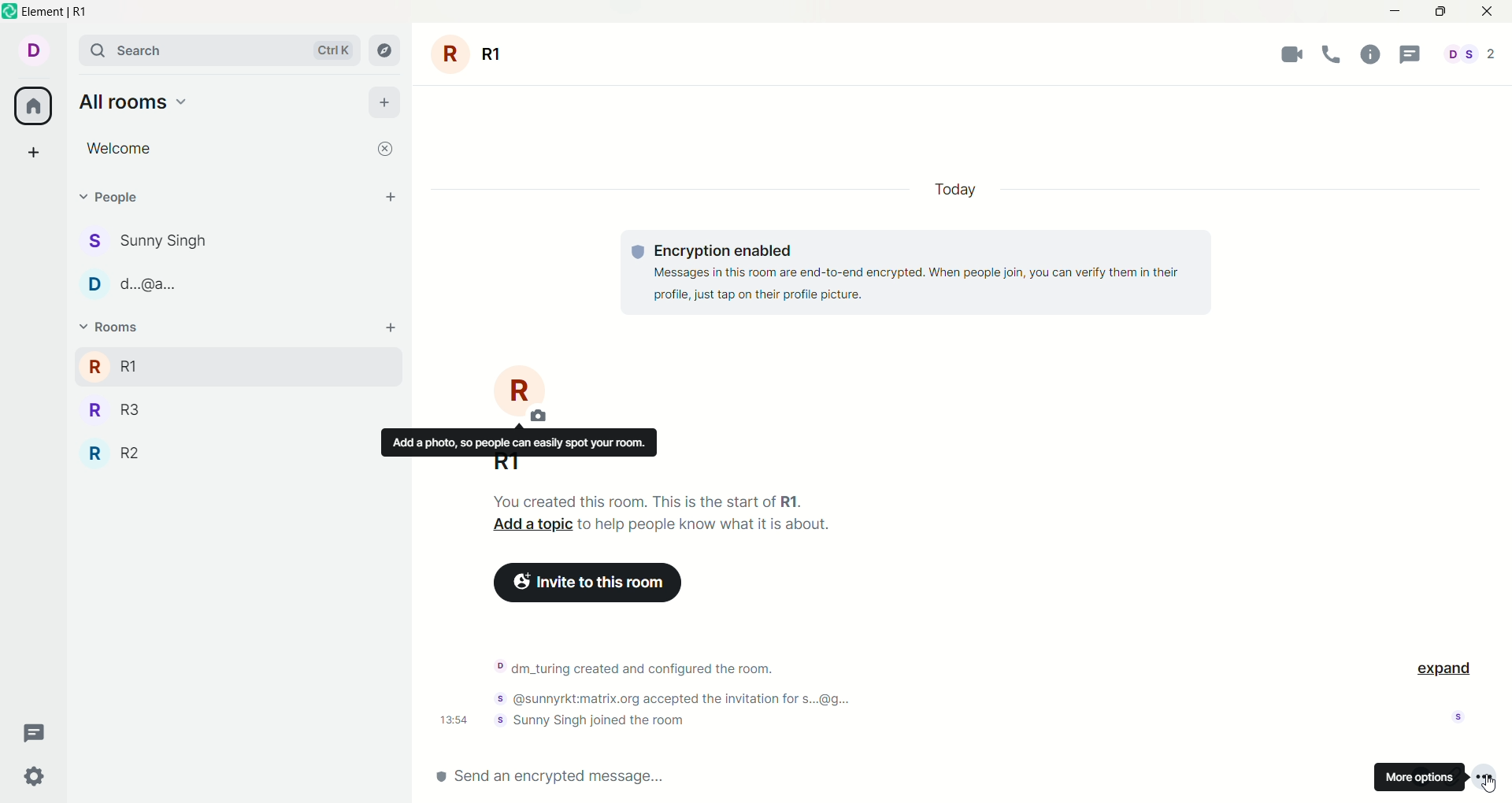 The width and height of the screenshot is (1512, 803). What do you see at coordinates (32, 105) in the screenshot?
I see `home` at bounding box center [32, 105].